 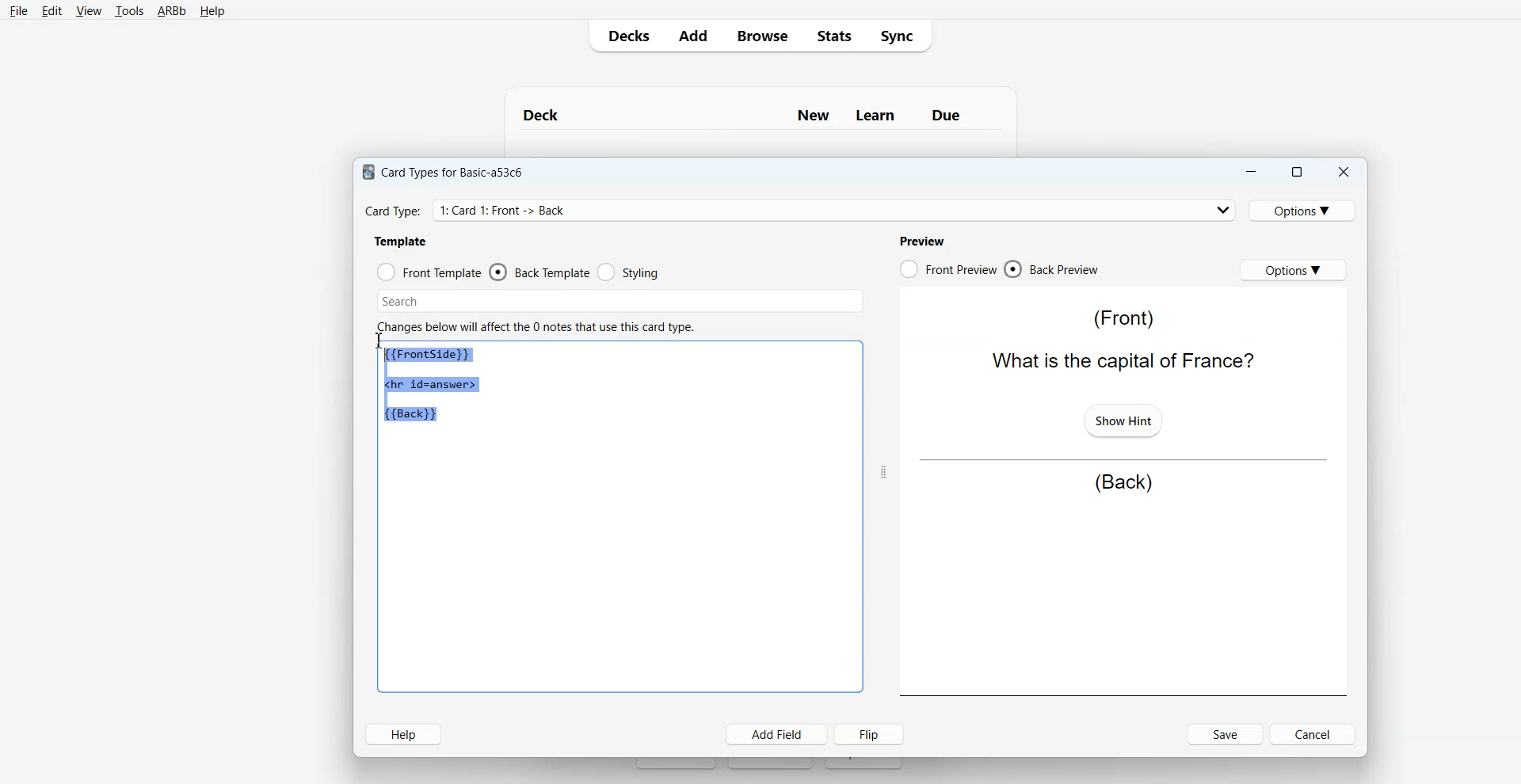 I want to click on Back Template, so click(x=539, y=272).